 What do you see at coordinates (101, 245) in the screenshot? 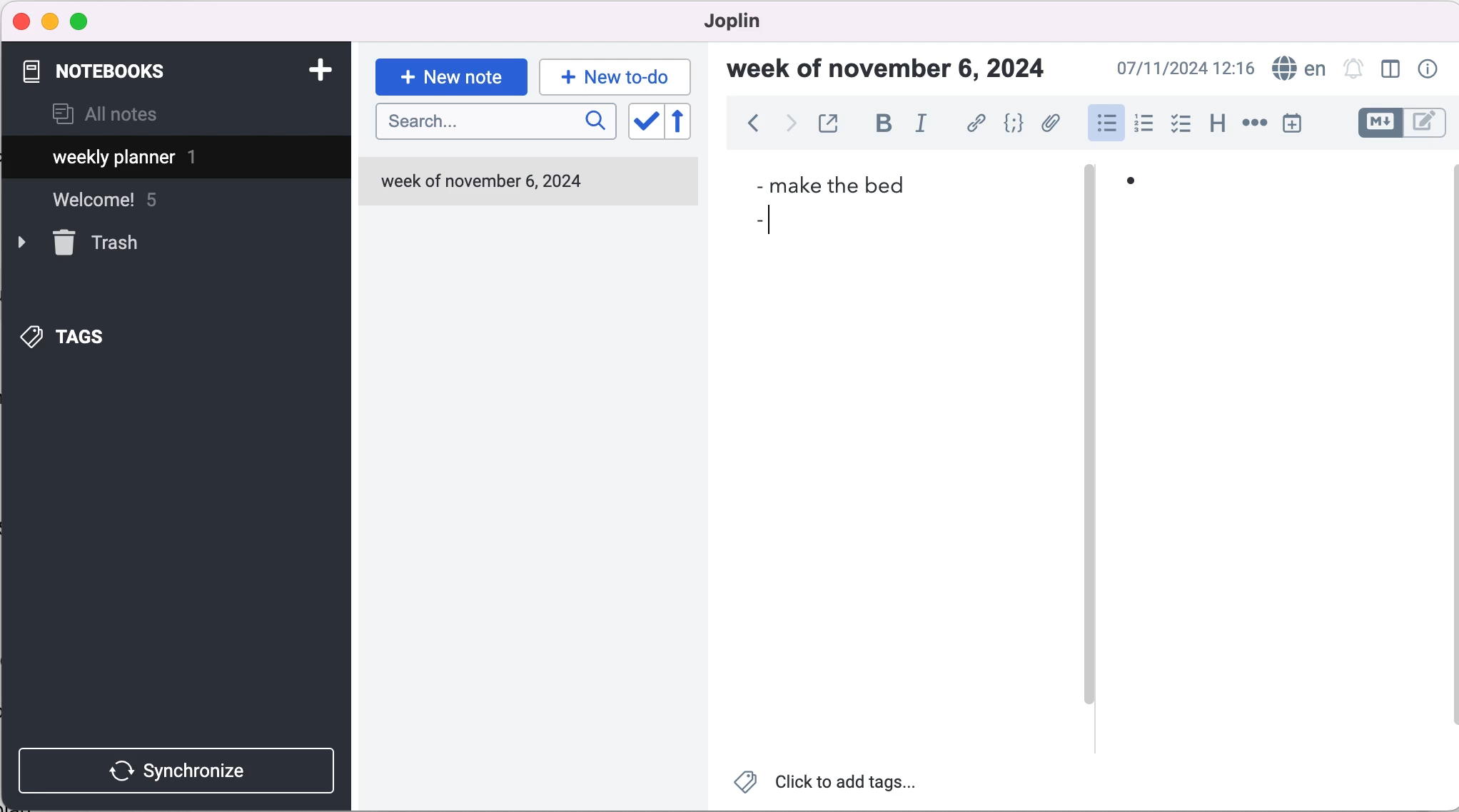
I see `trash` at bounding box center [101, 245].